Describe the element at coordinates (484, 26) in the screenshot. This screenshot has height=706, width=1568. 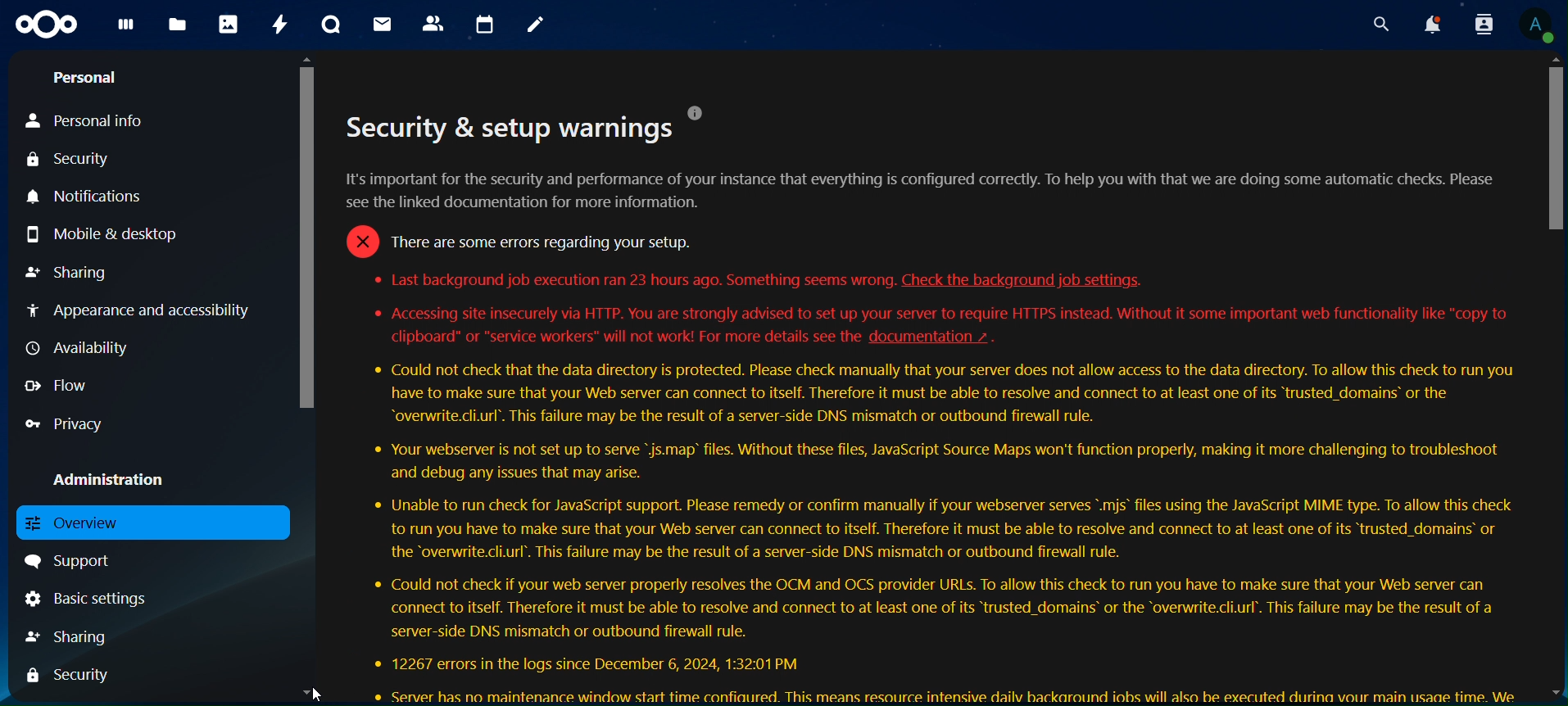
I see `calendar` at that location.